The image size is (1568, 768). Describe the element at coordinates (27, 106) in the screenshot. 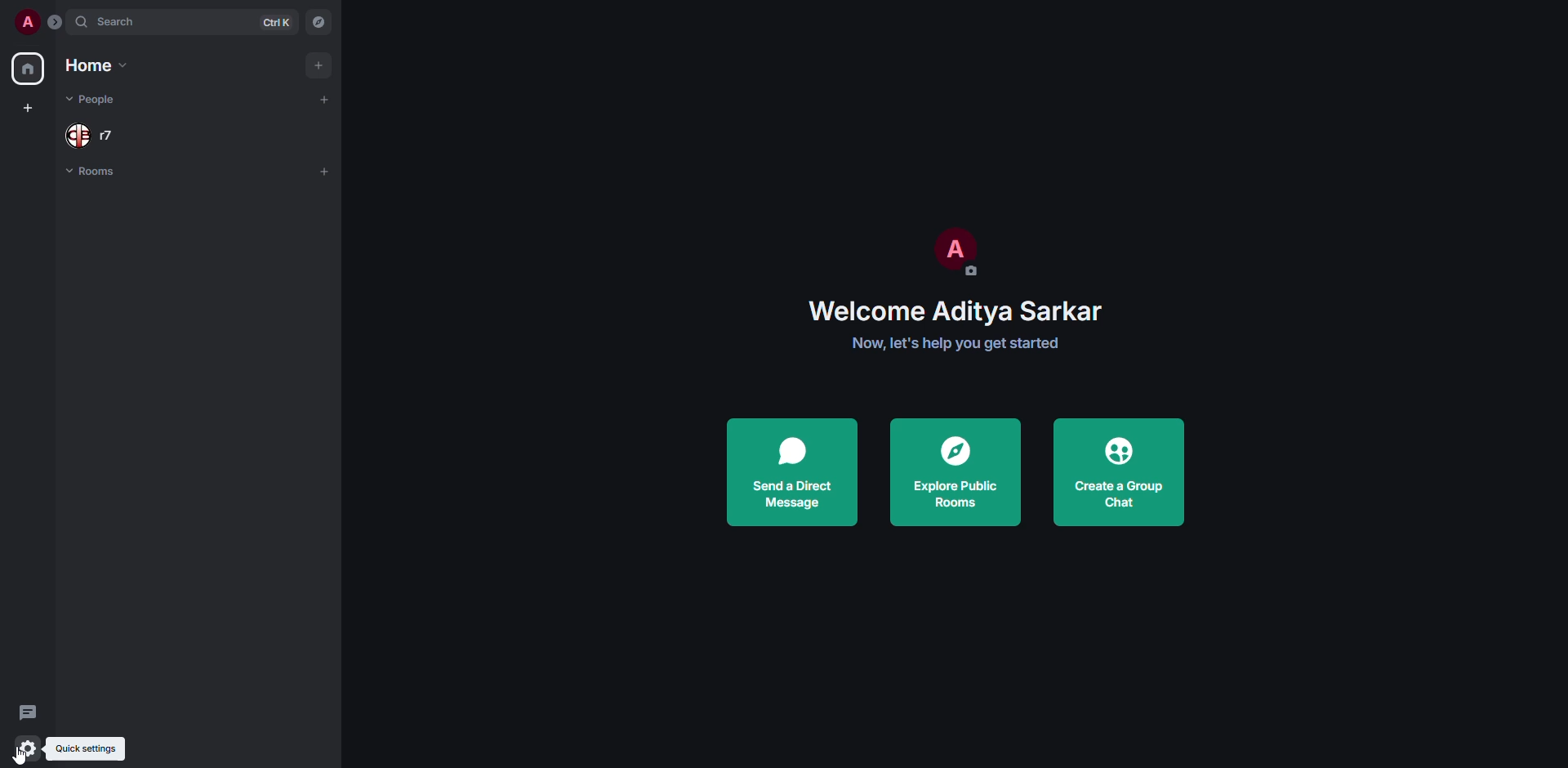

I see `create space` at that location.